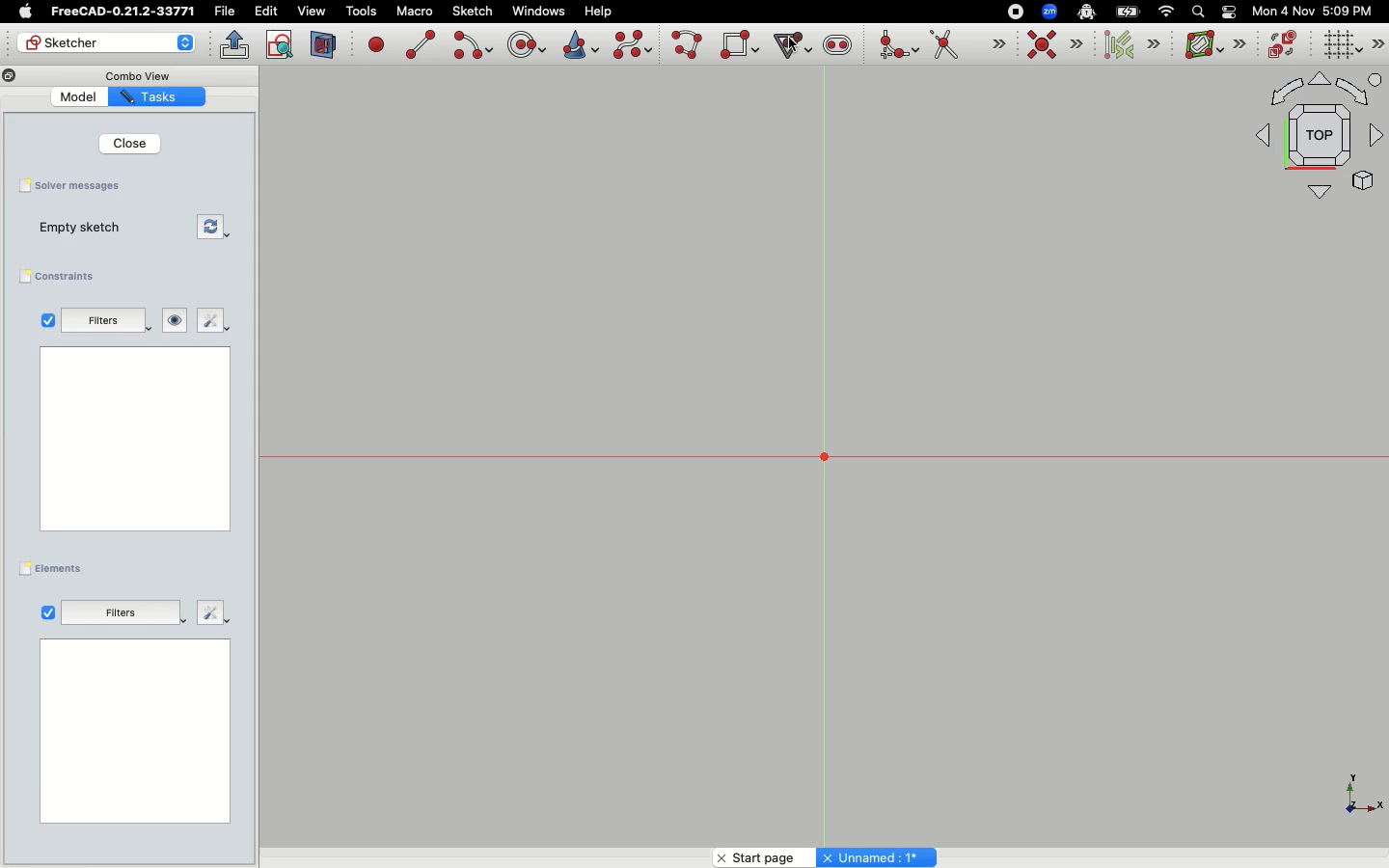 This screenshot has width=1389, height=868. What do you see at coordinates (281, 45) in the screenshot?
I see `View sketch` at bounding box center [281, 45].